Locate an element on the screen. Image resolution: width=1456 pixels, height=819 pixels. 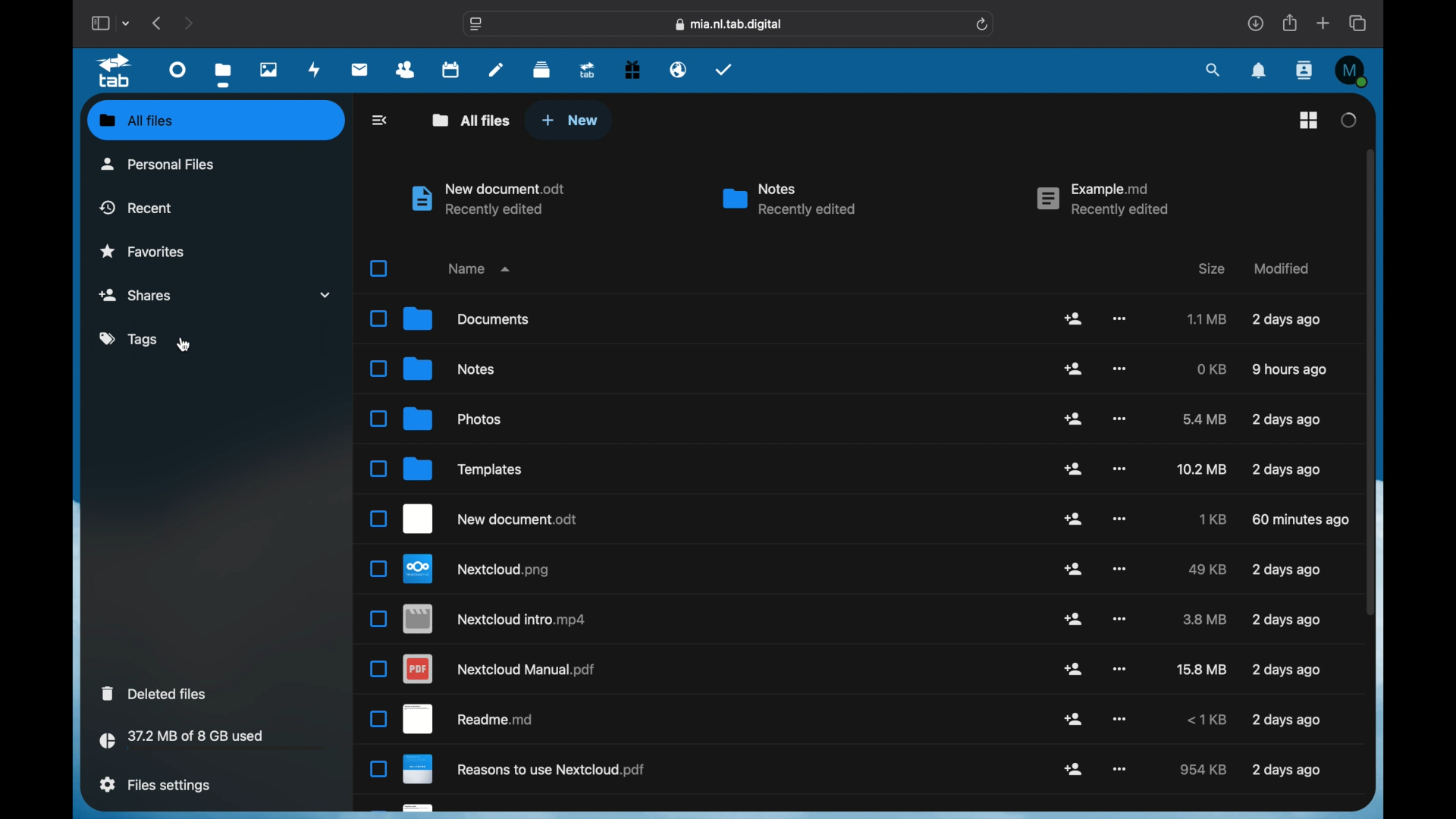
Unselected checkbox is located at coordinates (378, 519).